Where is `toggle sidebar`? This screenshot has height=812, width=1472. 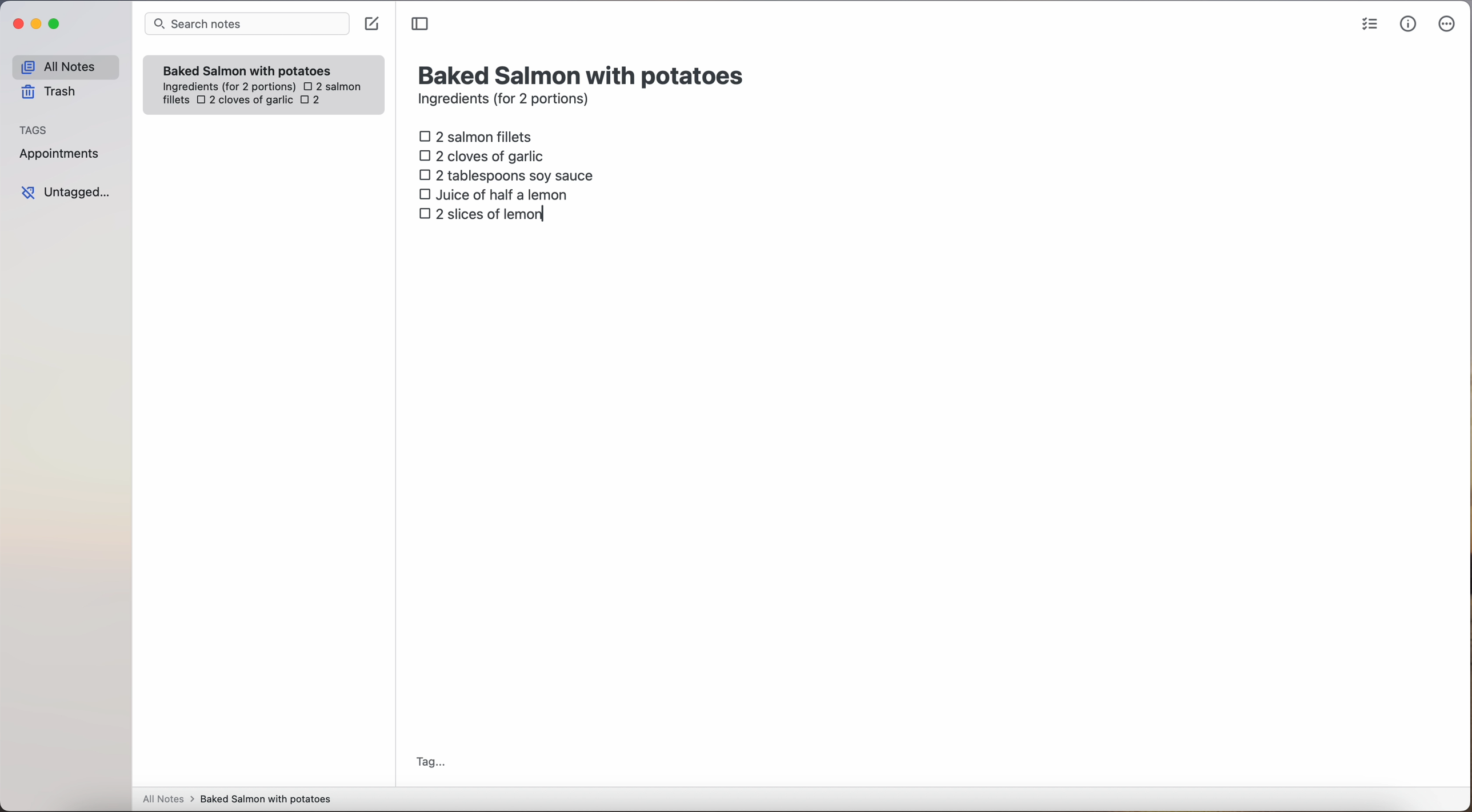
toggle sidebar is located at coordinates (421, 25).